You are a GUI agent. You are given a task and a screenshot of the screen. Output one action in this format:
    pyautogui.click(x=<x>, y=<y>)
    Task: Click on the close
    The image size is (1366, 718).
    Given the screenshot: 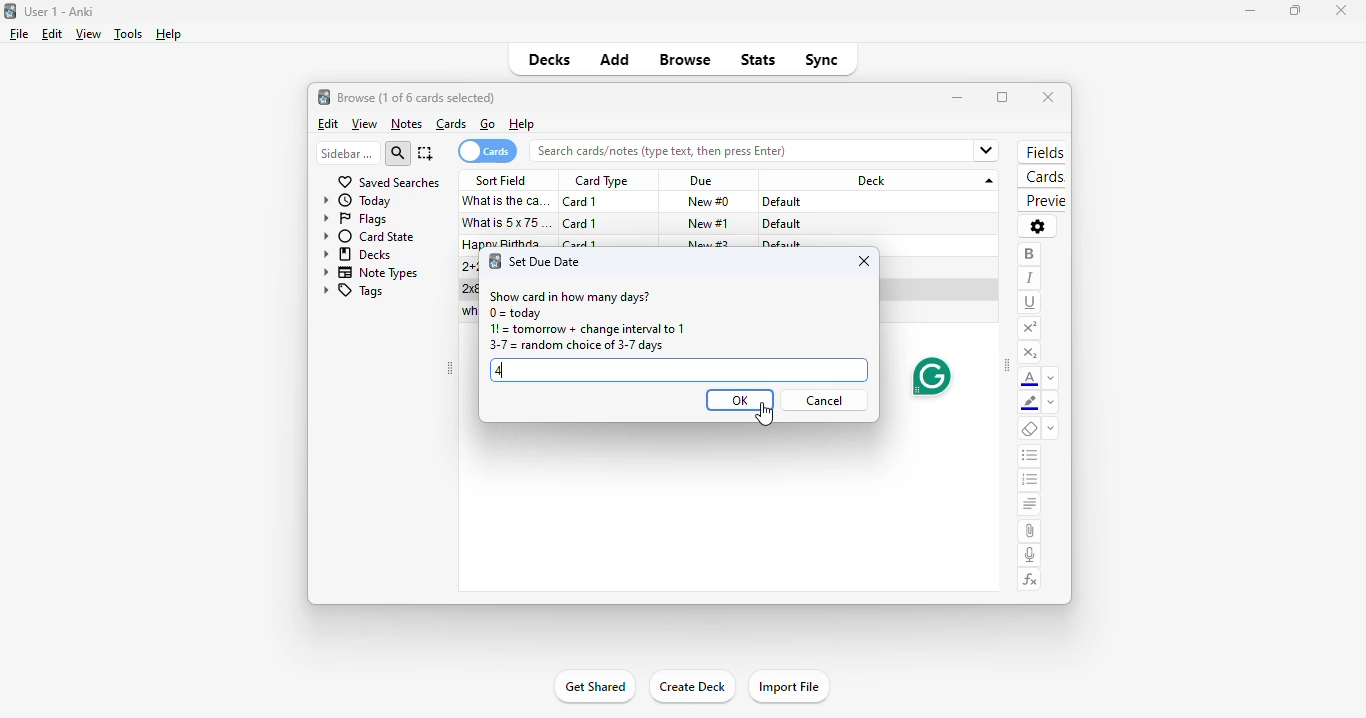 What is the action you would take?
    pyautogui.click(x=1048, y=97)
    